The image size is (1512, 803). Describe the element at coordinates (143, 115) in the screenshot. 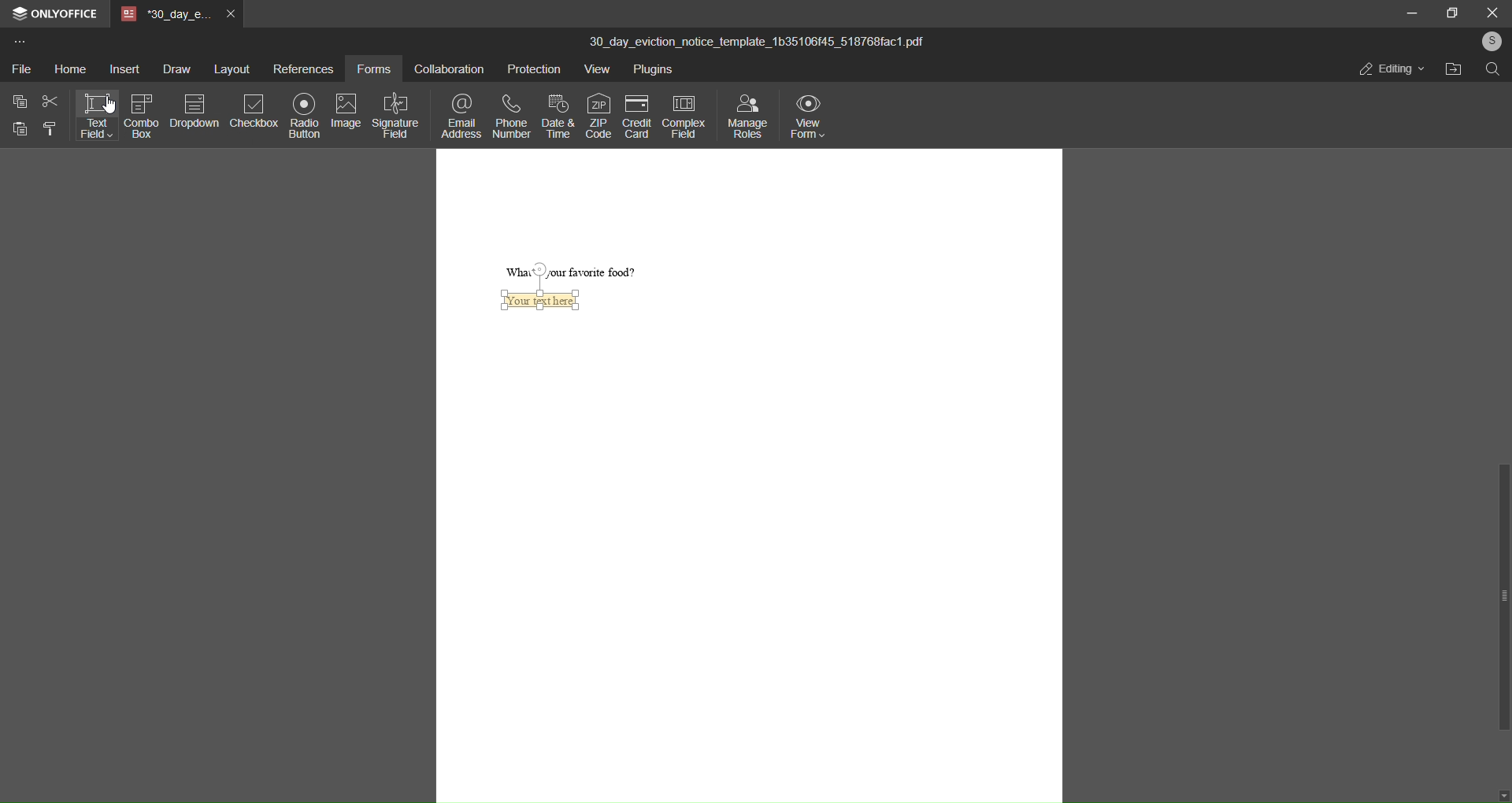

I see `combo box` at that location.